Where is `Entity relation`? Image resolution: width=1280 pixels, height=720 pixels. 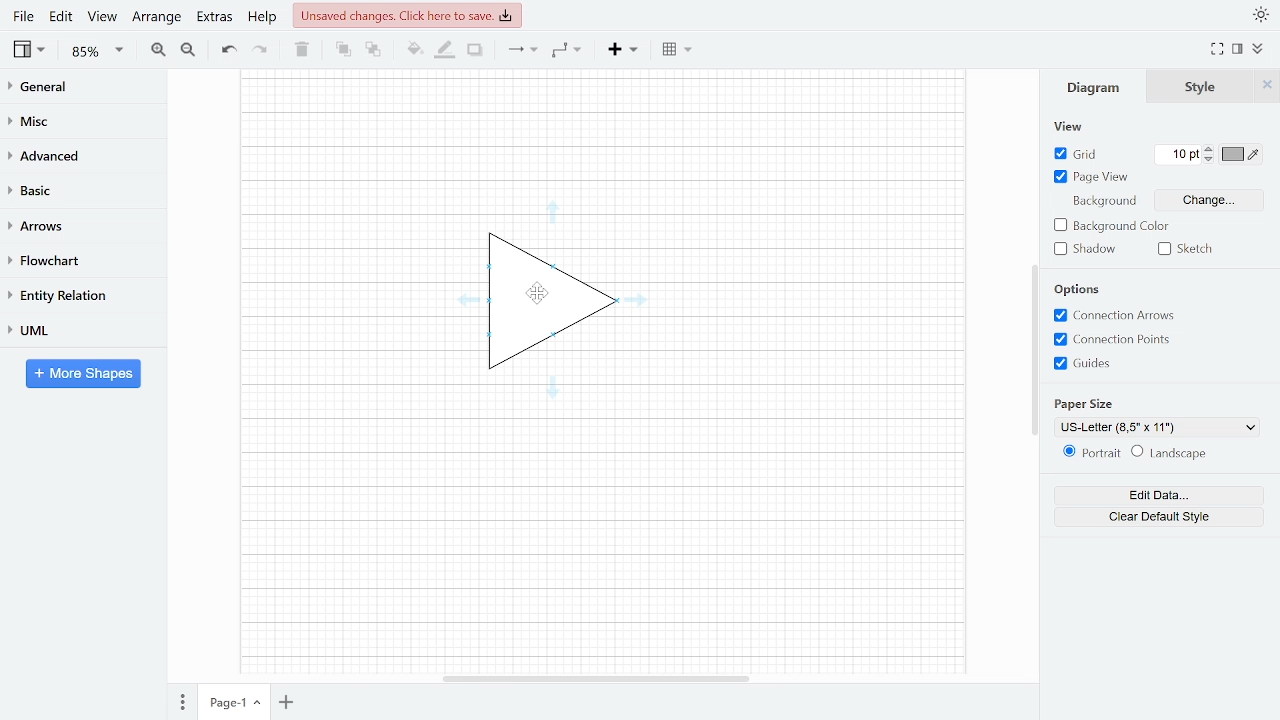
Entity relation is located at coordinates (75, 295).